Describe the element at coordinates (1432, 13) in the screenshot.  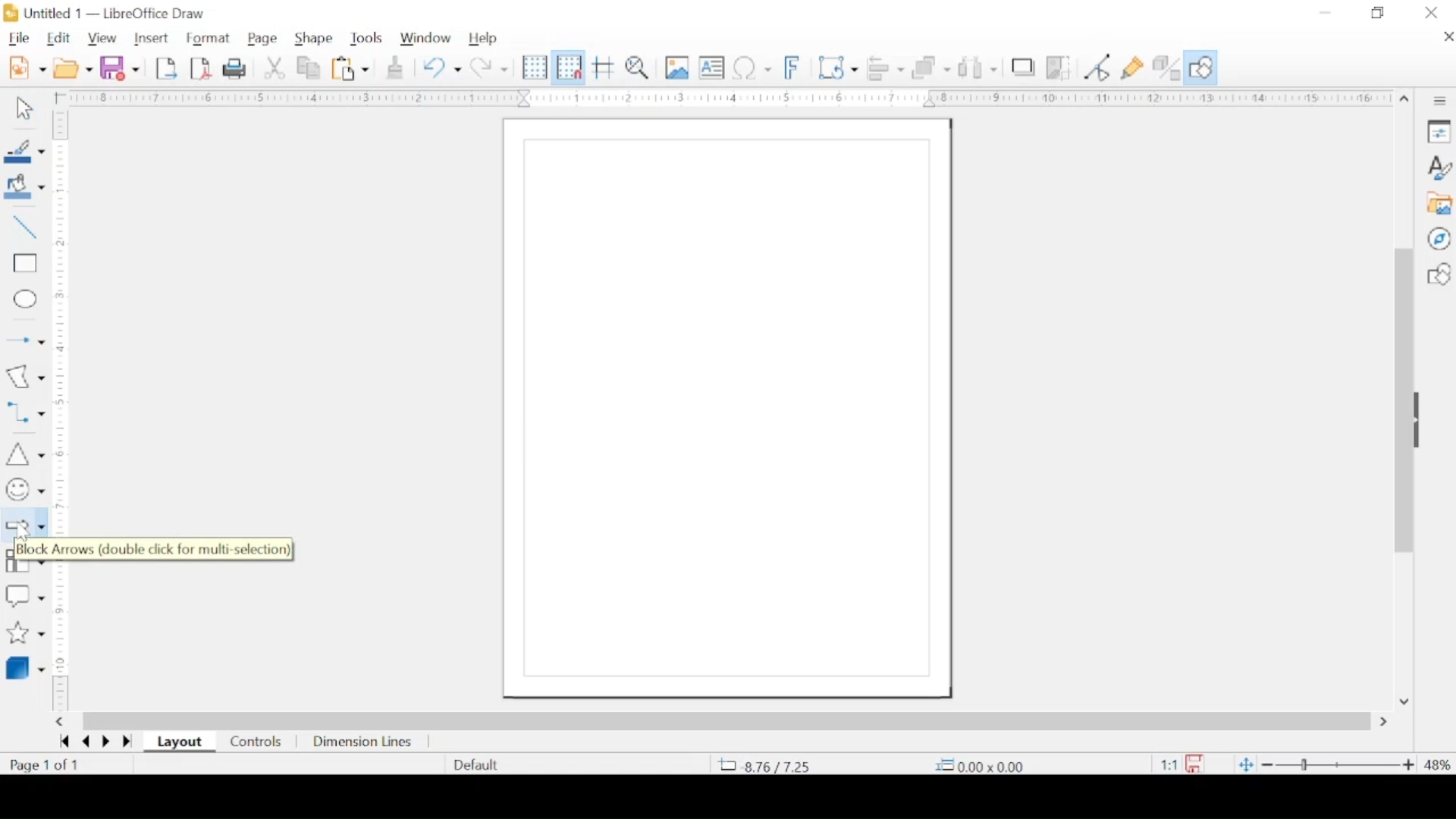
I see `close` at that location.